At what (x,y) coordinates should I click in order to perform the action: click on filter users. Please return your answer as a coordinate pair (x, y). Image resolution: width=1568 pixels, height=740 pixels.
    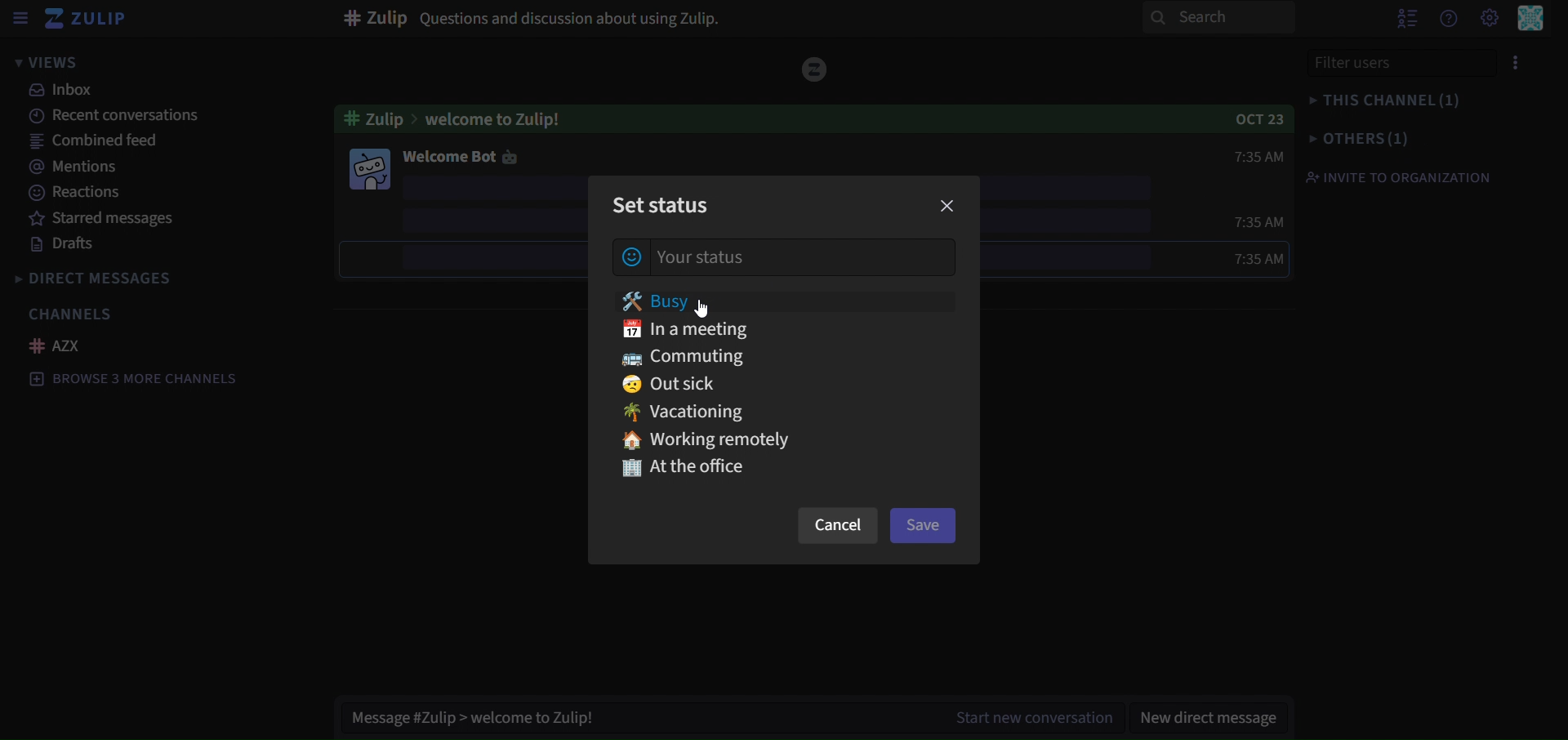
    Looking at the image, I should click on (1395, 63).